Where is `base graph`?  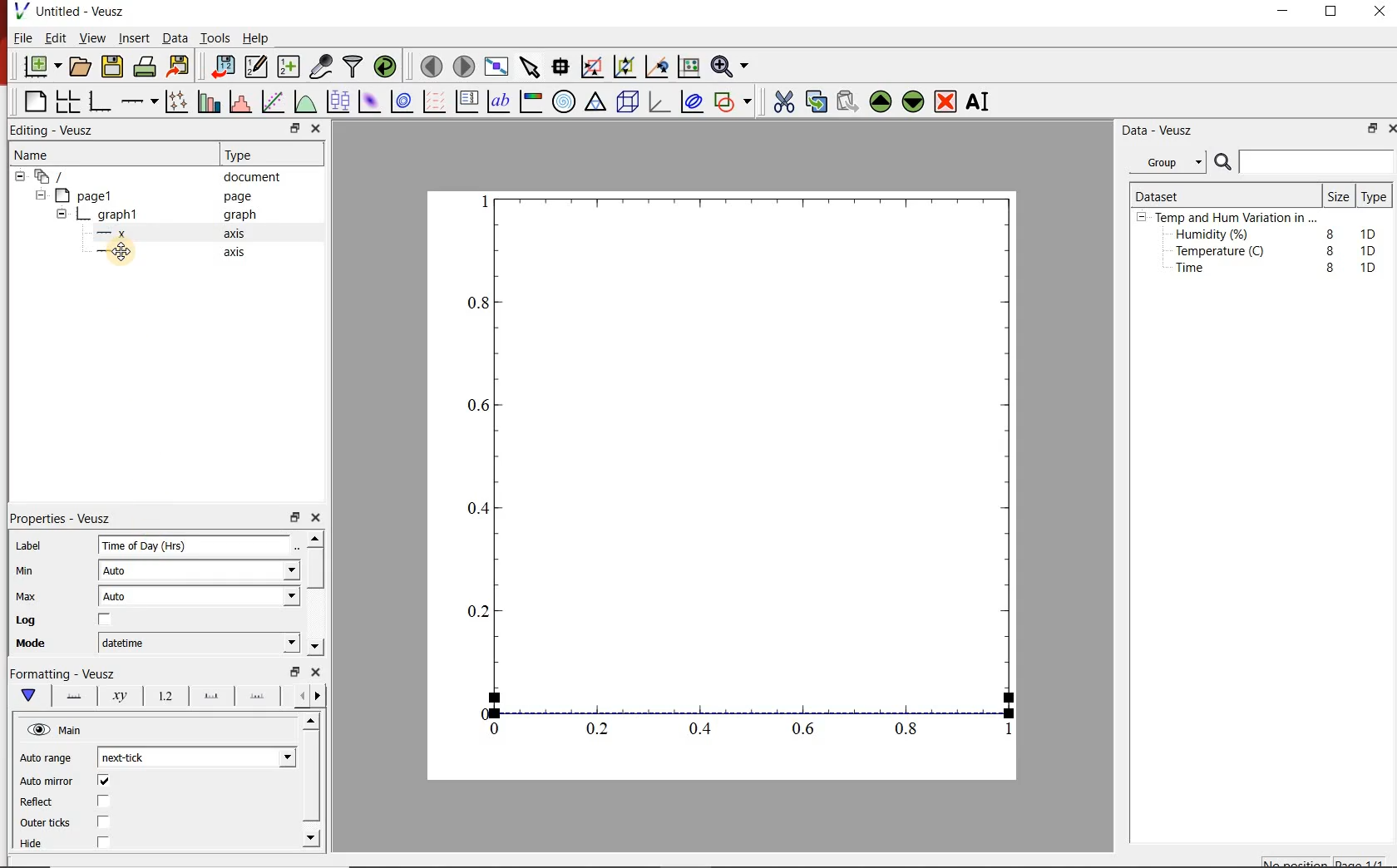
base graph is located at coordinates (101, 99).